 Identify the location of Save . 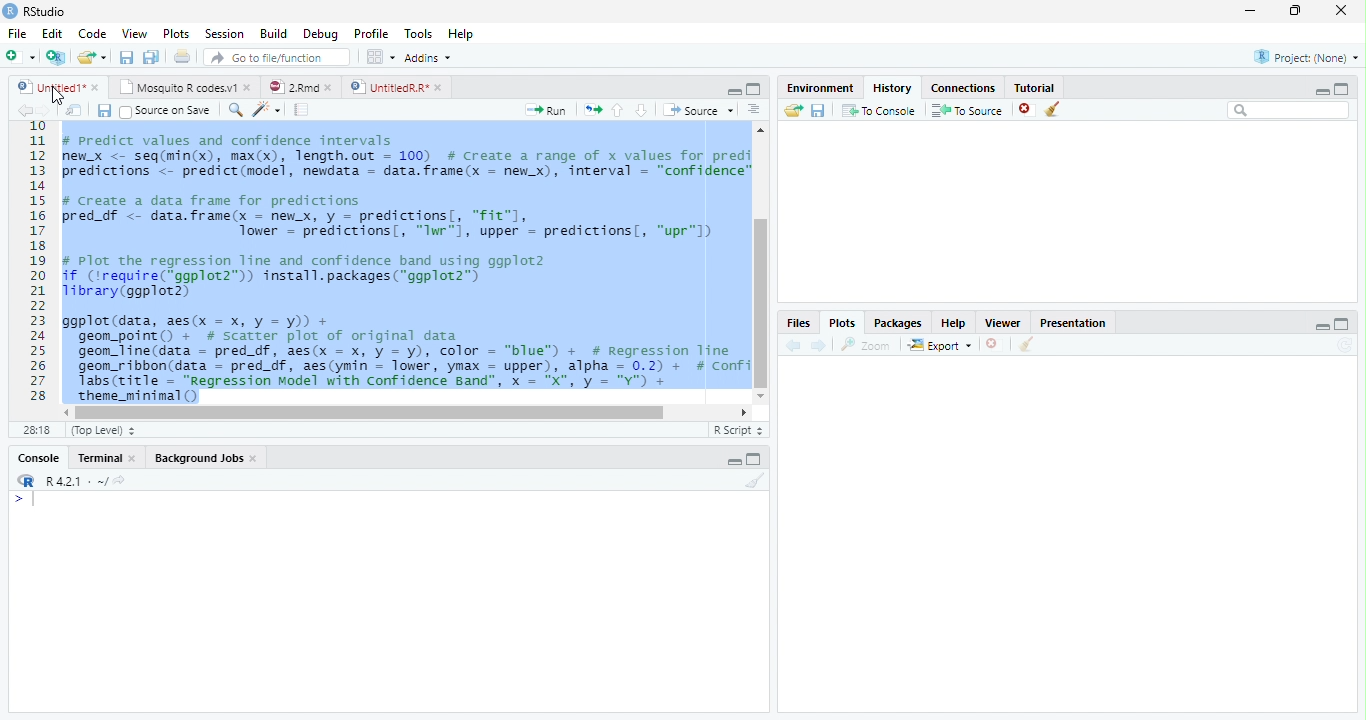
(130, 59).